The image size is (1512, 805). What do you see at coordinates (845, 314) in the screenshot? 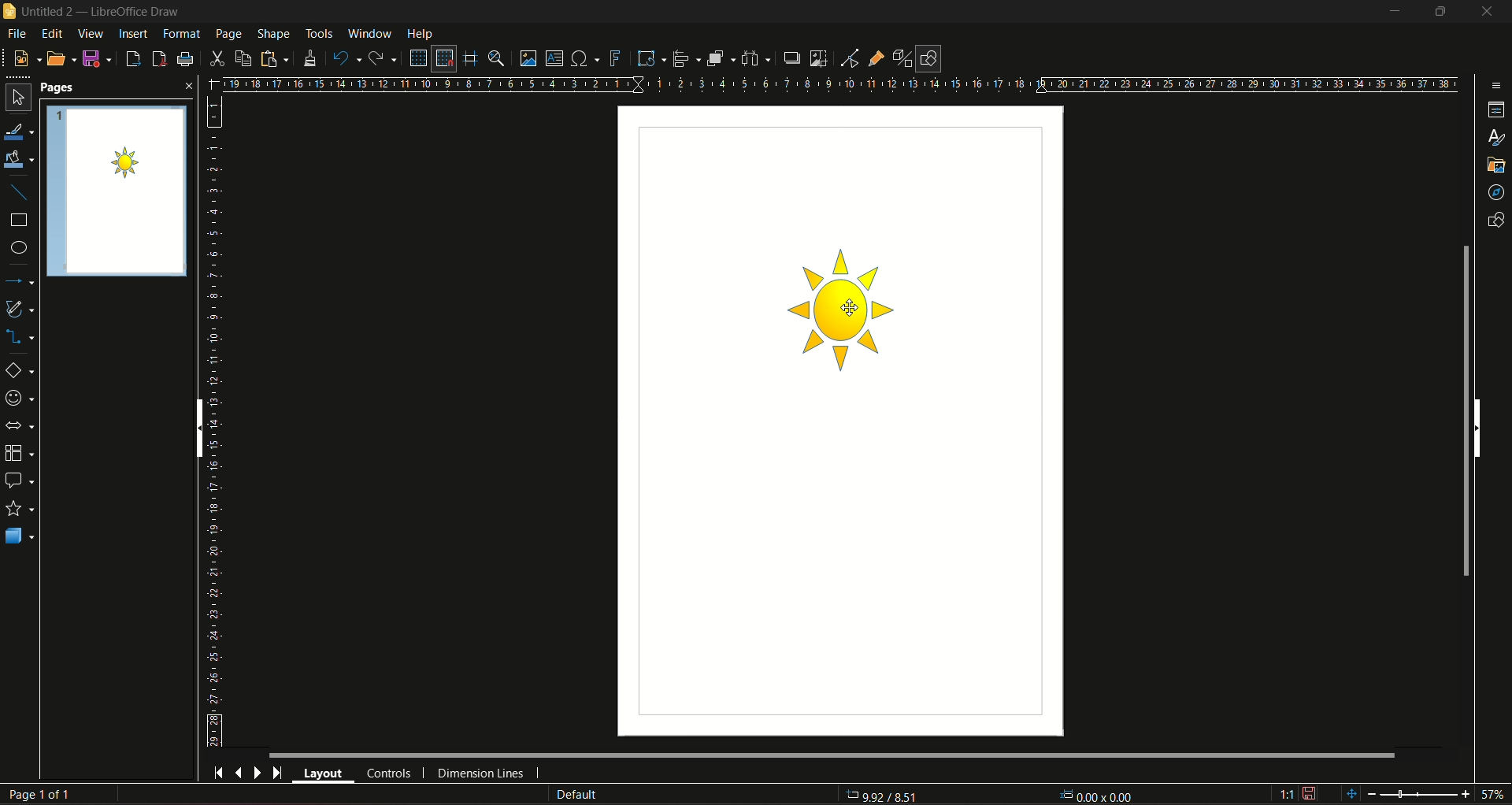
I see `object` at bounding box center [845, 314].